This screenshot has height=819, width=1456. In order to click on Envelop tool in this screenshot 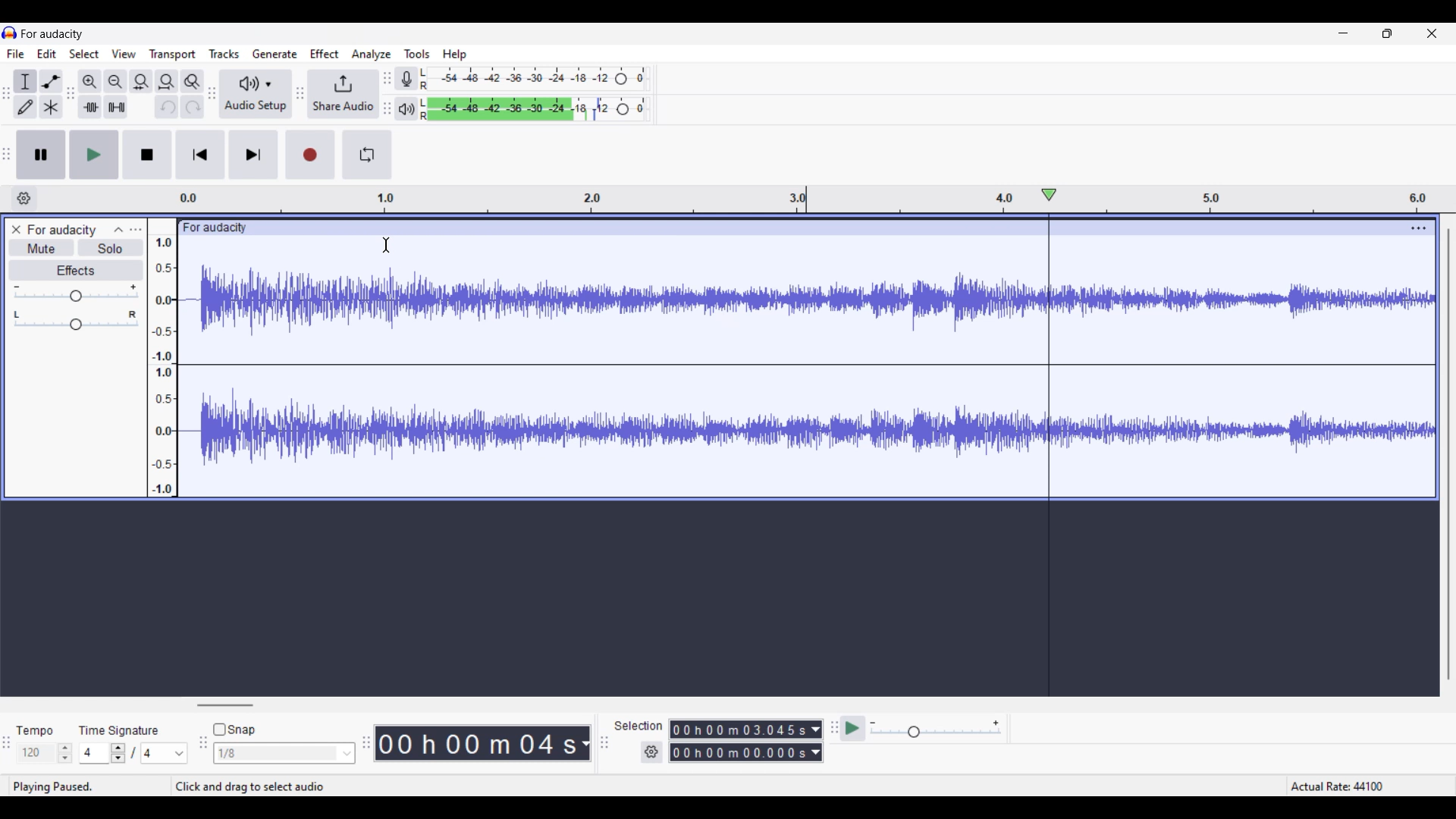, I will do `click(52, 82)`.